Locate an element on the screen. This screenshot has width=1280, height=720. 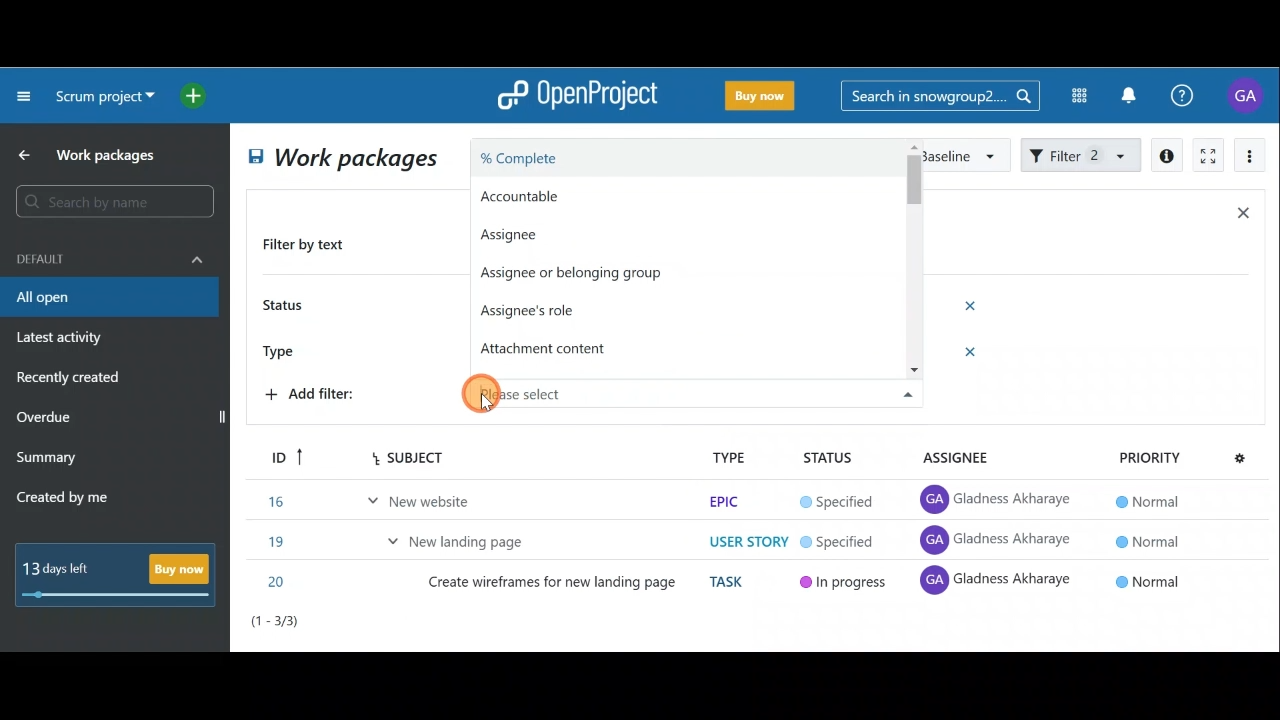
normal is located at coordinates (1146, 540).